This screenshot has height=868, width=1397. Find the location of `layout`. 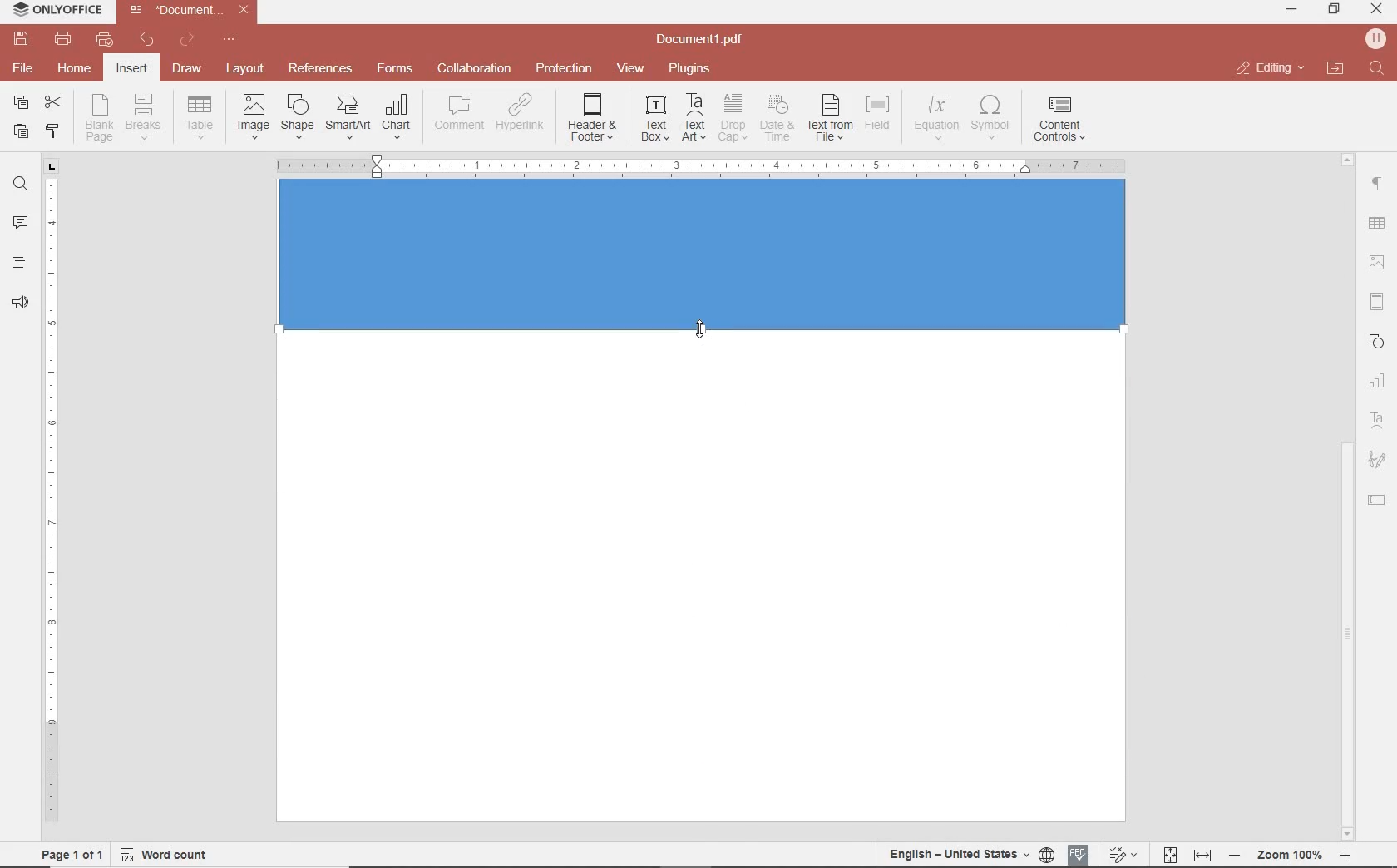

layout is located at coordinates (248, 70).